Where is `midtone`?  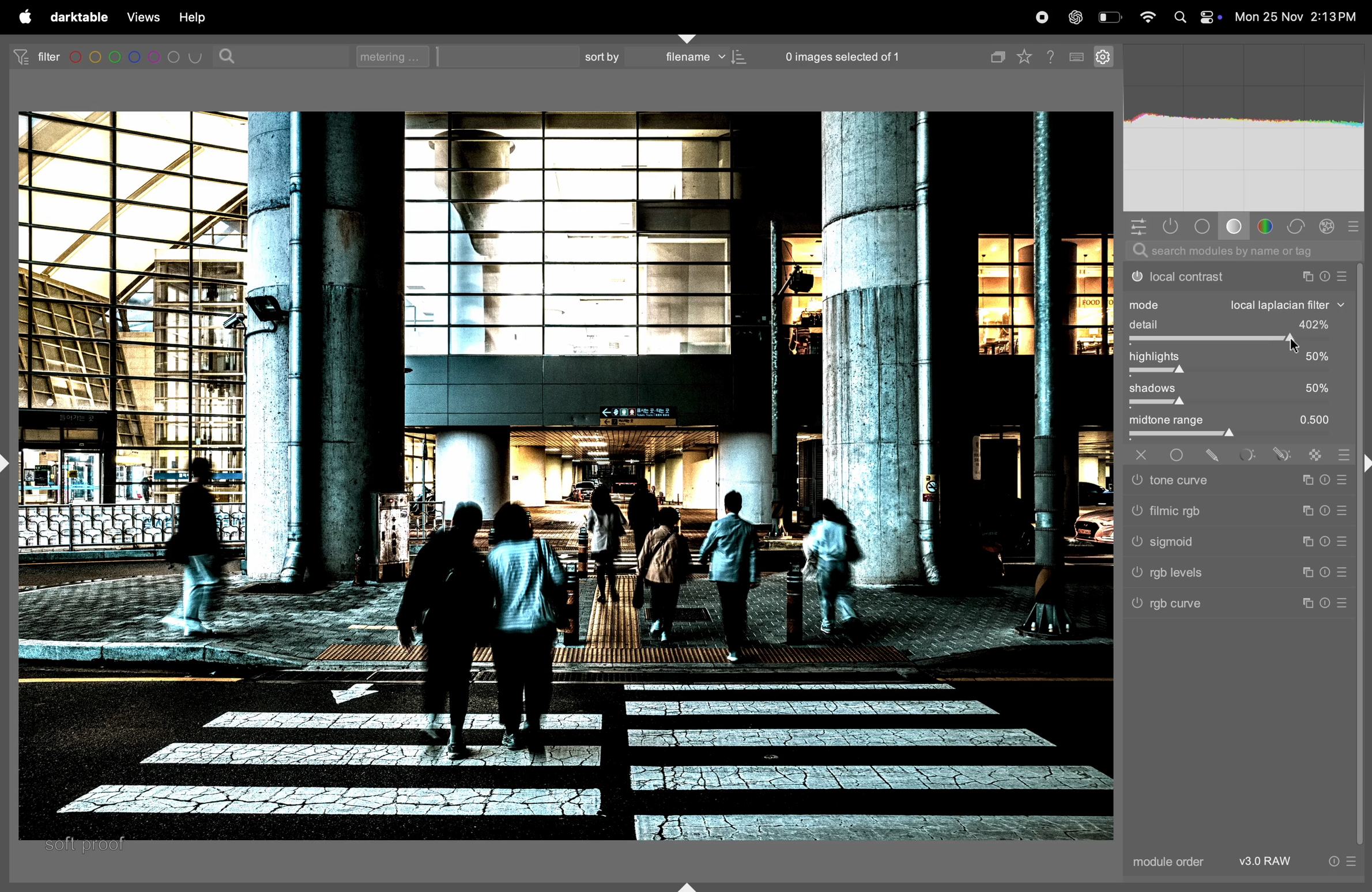
midtone is located at coordinates (1237, 421).